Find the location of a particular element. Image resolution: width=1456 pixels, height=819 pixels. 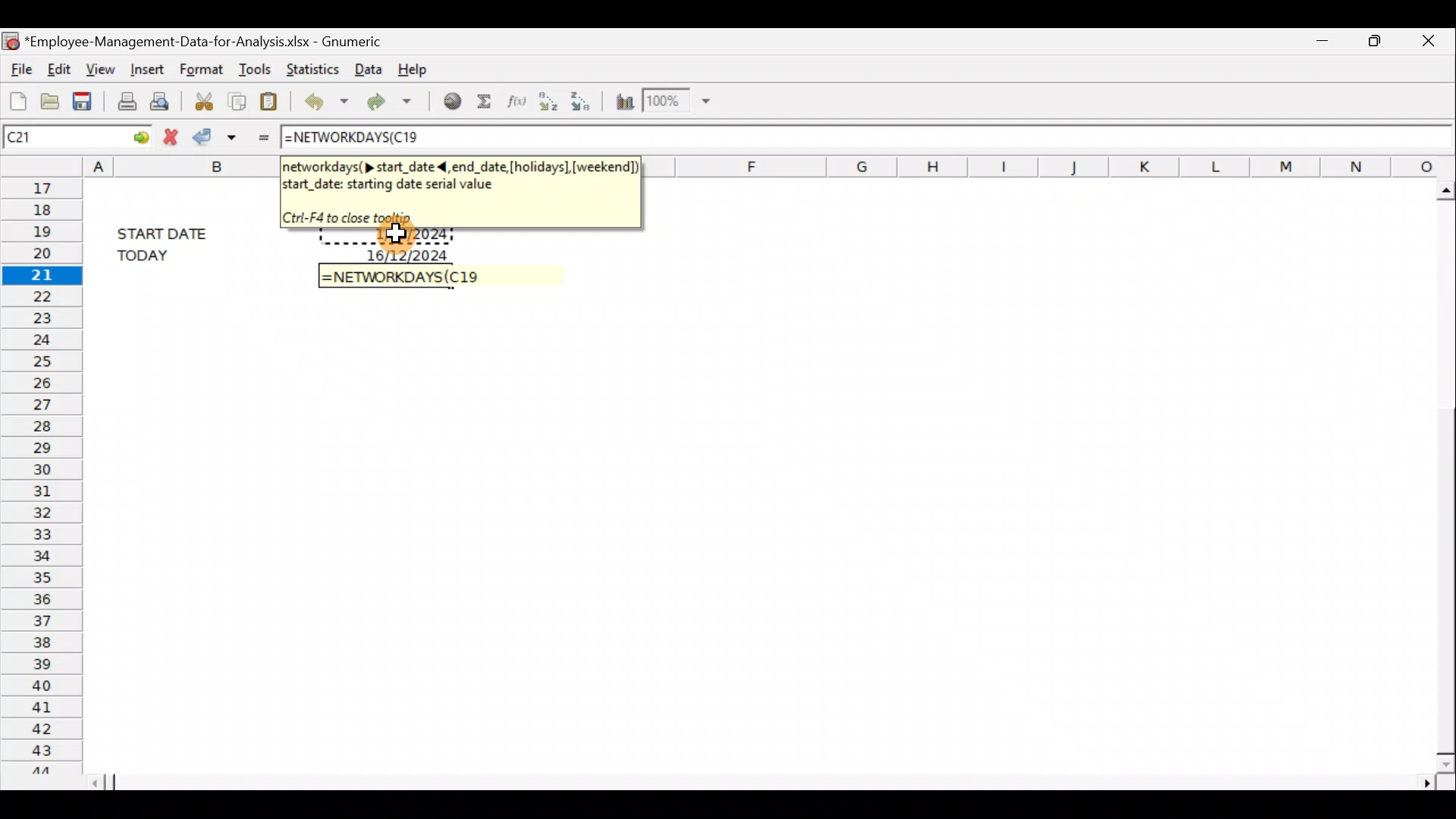

16/12/2024 is located at coordinates (410, 253).